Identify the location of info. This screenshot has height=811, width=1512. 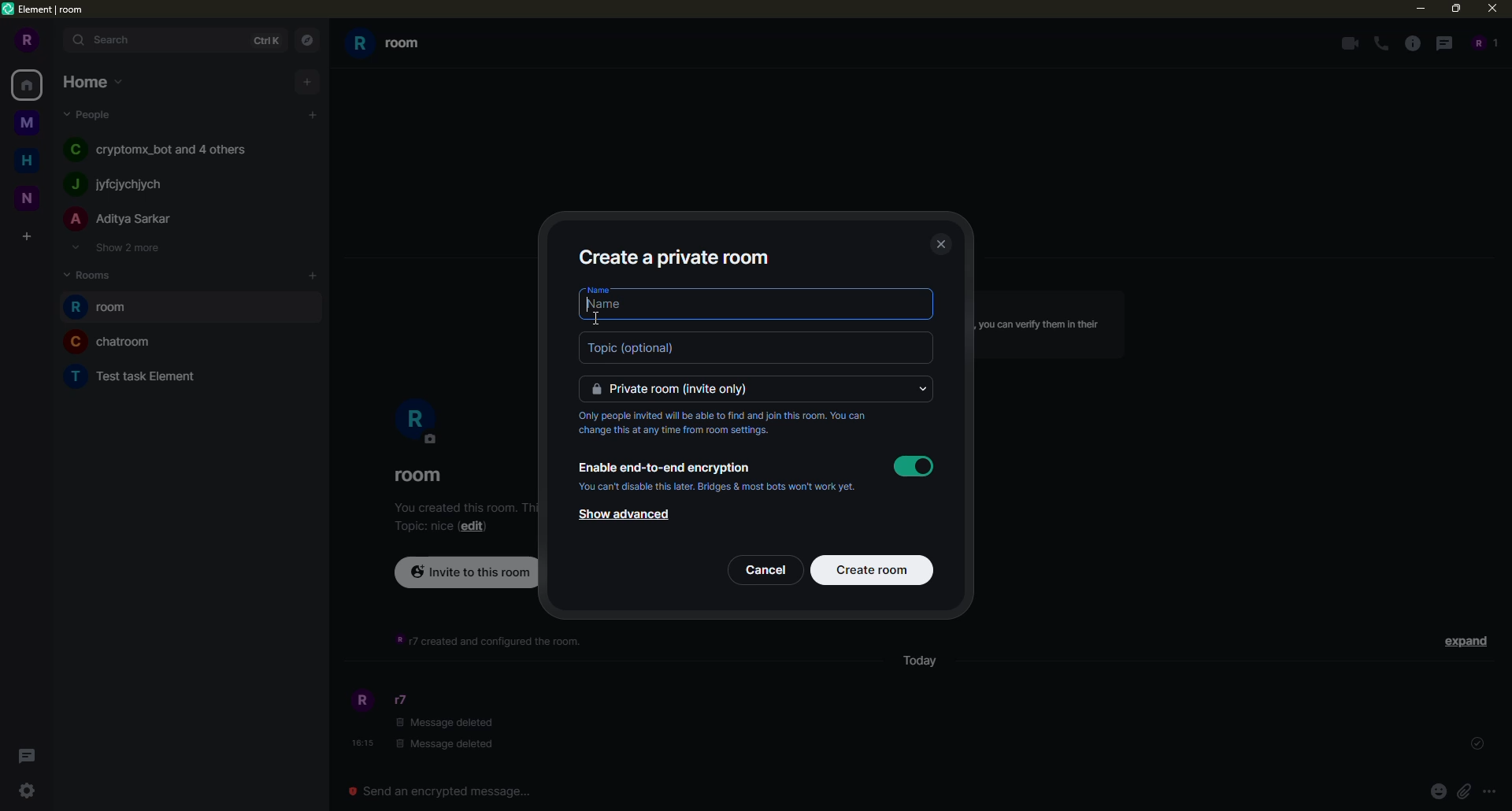
(721, 487).